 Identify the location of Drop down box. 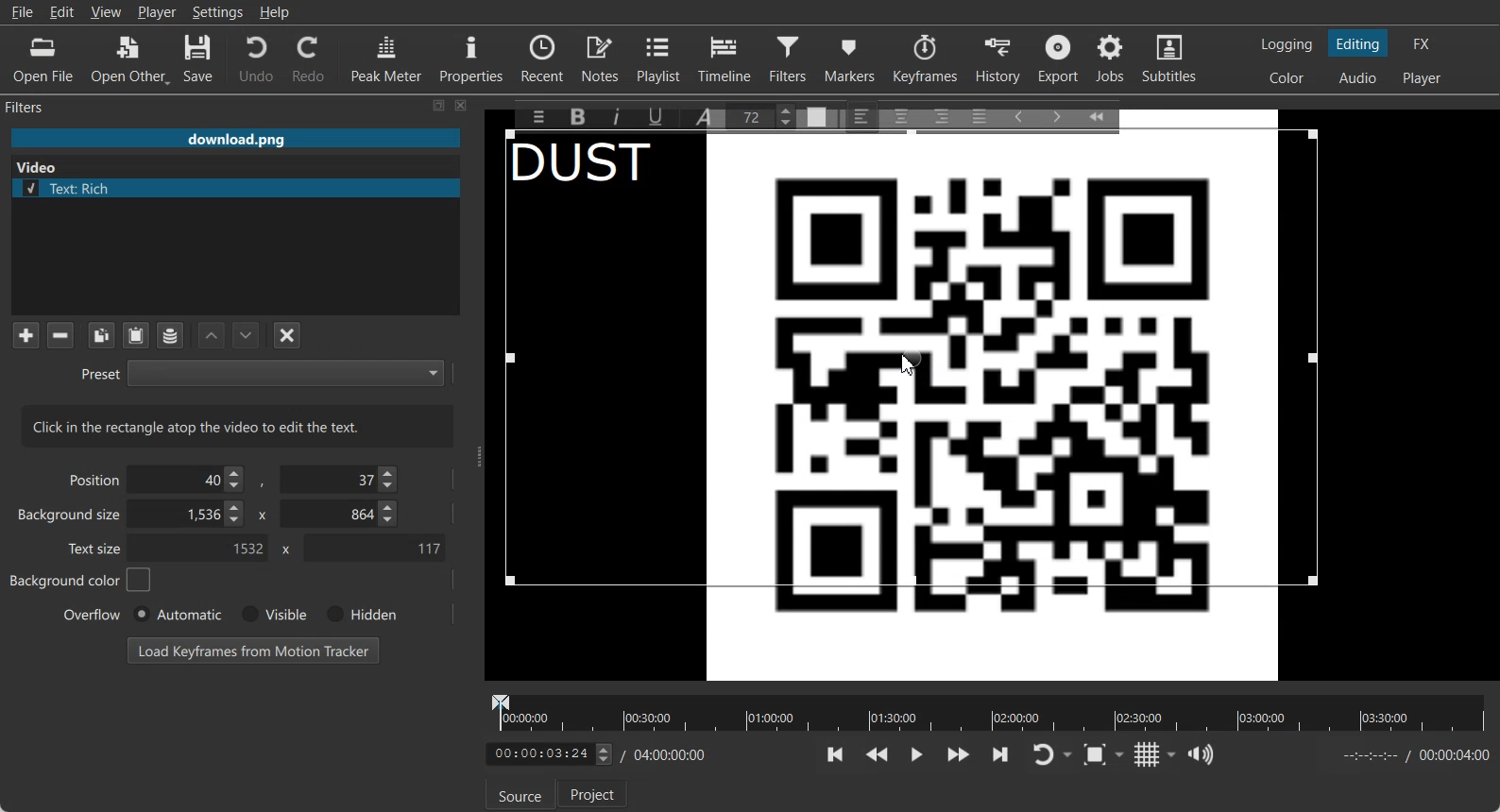
(1123, 753).